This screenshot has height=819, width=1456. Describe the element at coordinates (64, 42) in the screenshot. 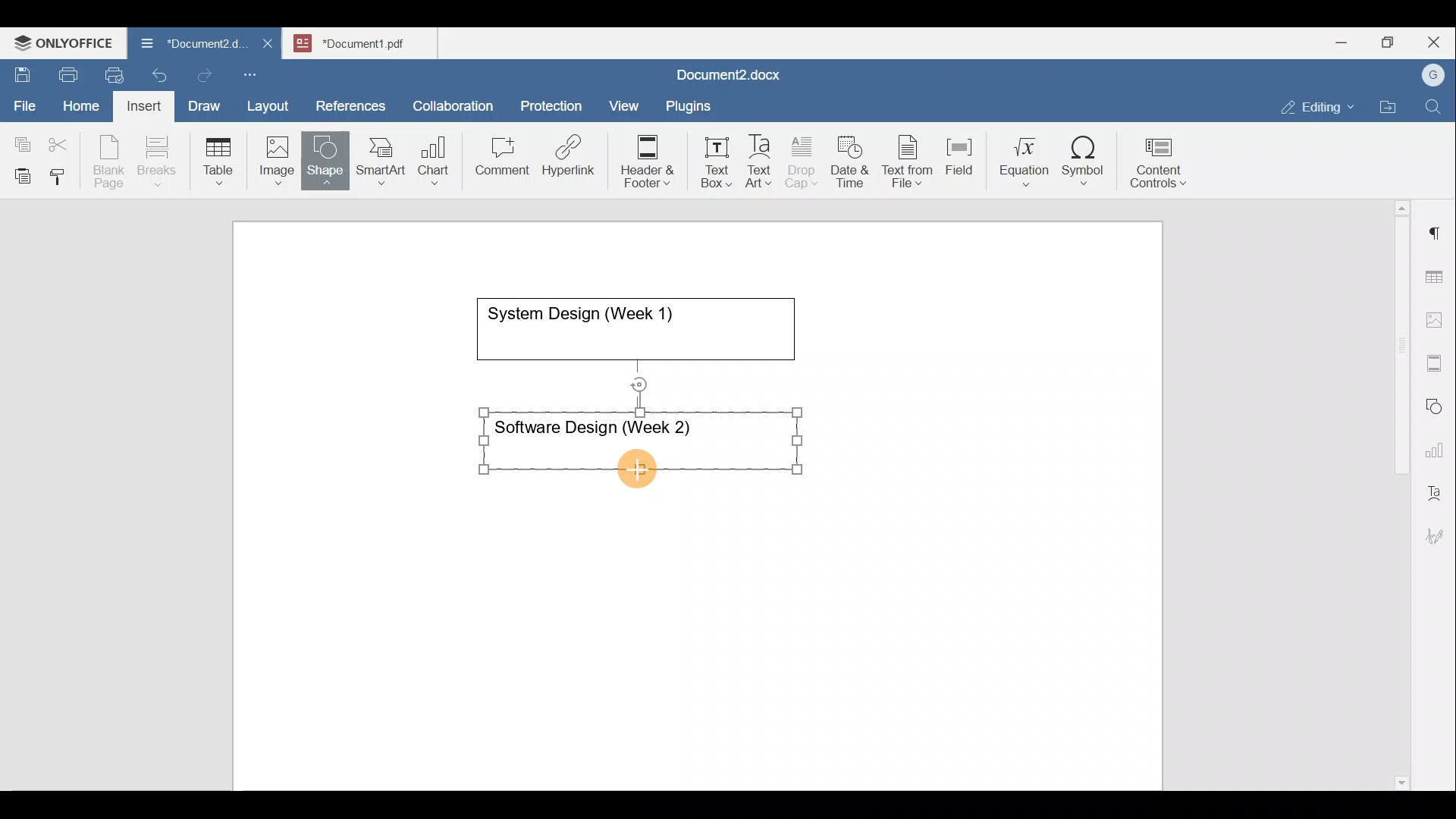

I see `ONLYOFFICE` at that location.